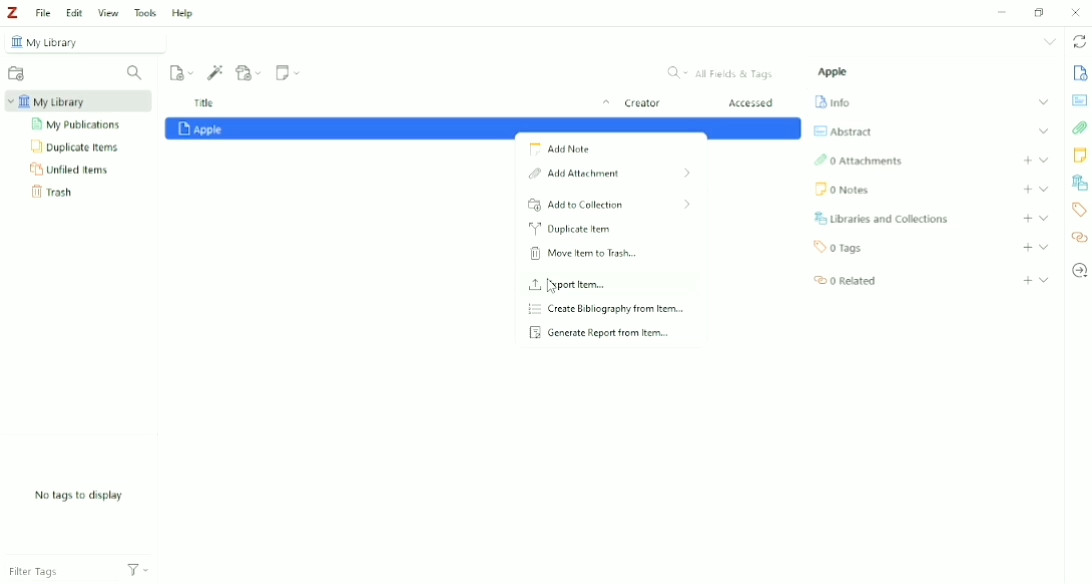 The width and height of the screenshot is (1092, 584). I want to click on Add Attachment, so click(249, 72).